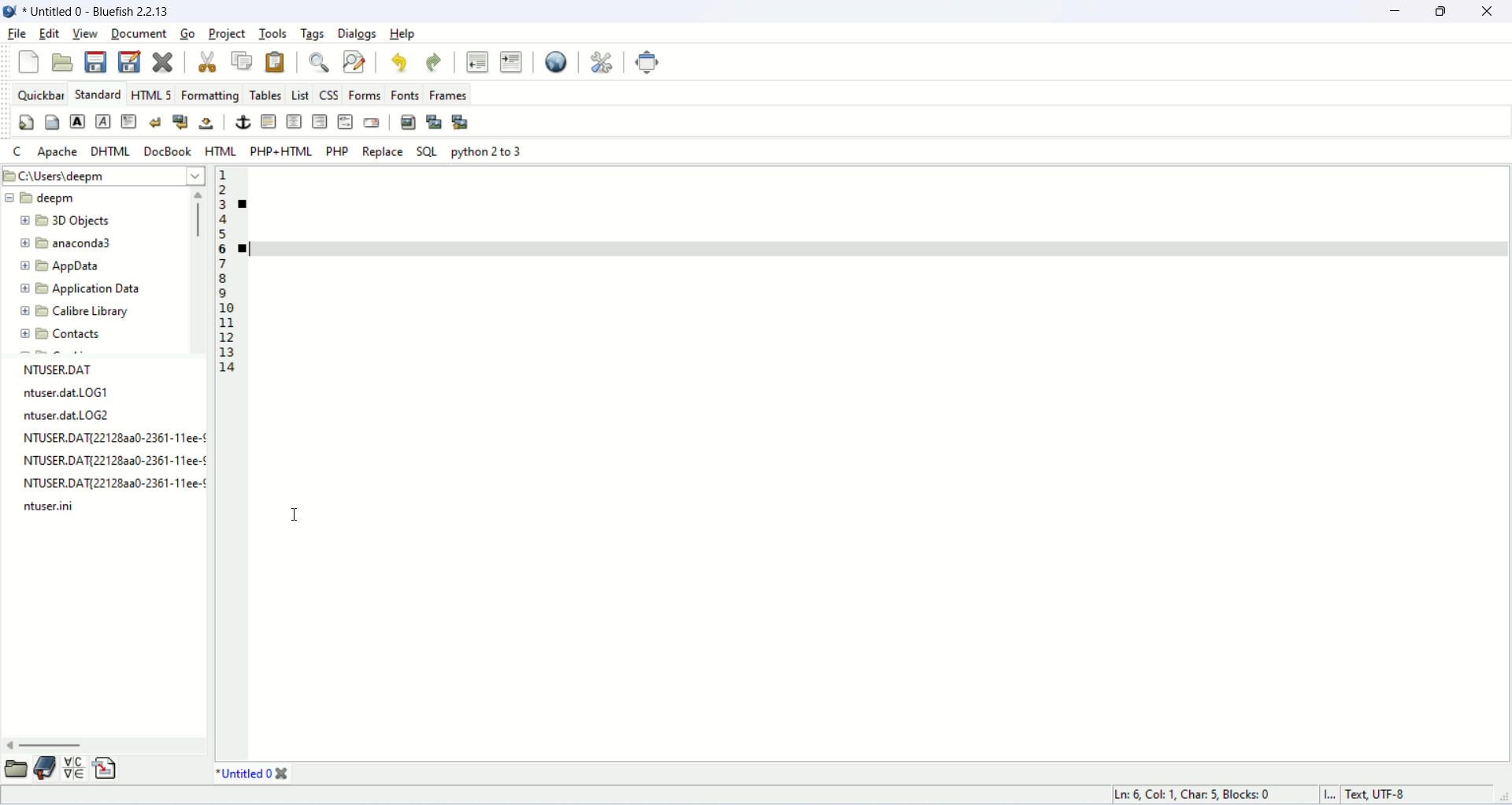  What do you see at coordinates (16, 33) in the screenshot?
I see `file` at bounding box center [16, 33].